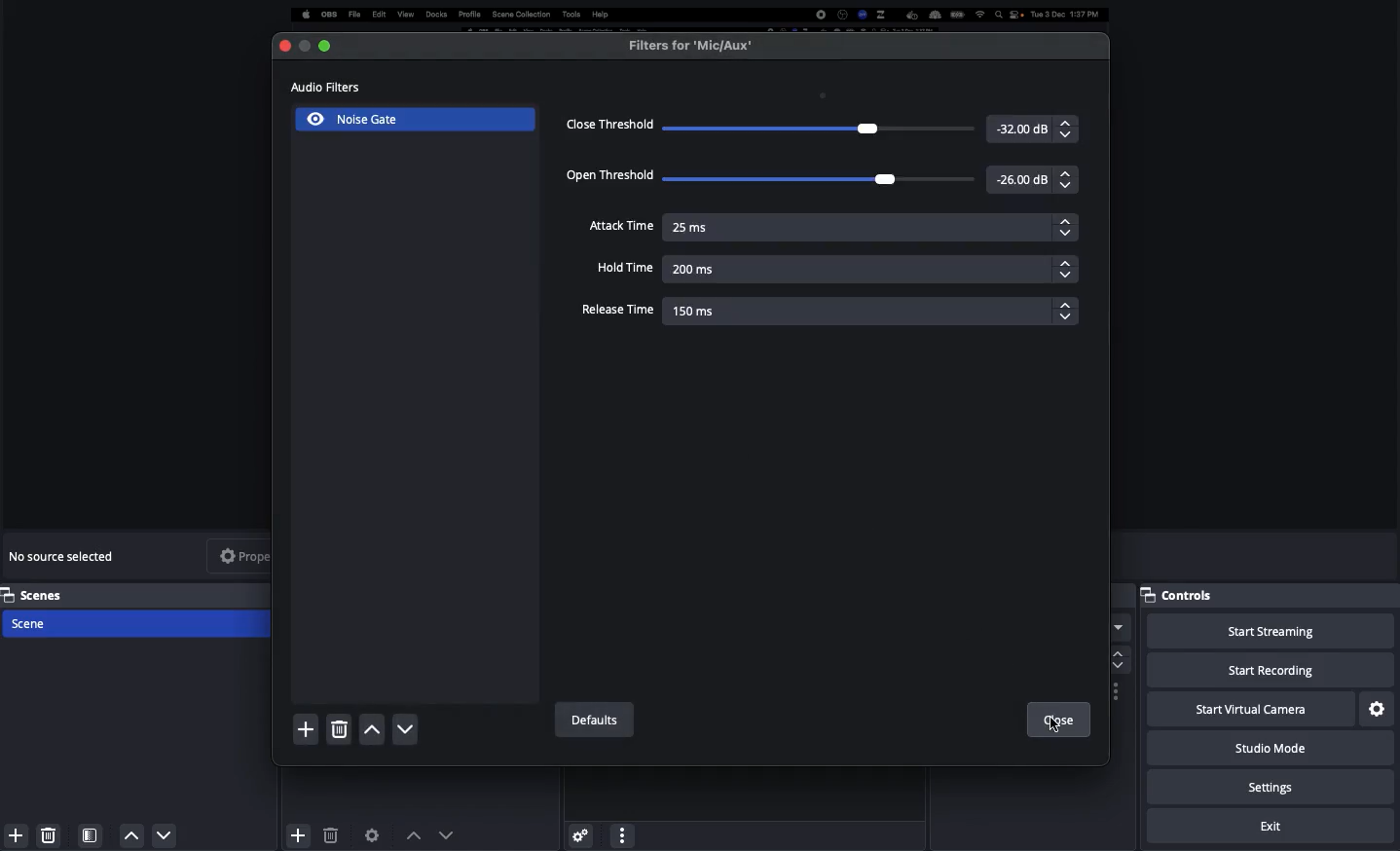 This screenshot has height=851, width=1400. Describe the element at coordinates (338, 730) in the screenshot. I see `Delete` at that location.